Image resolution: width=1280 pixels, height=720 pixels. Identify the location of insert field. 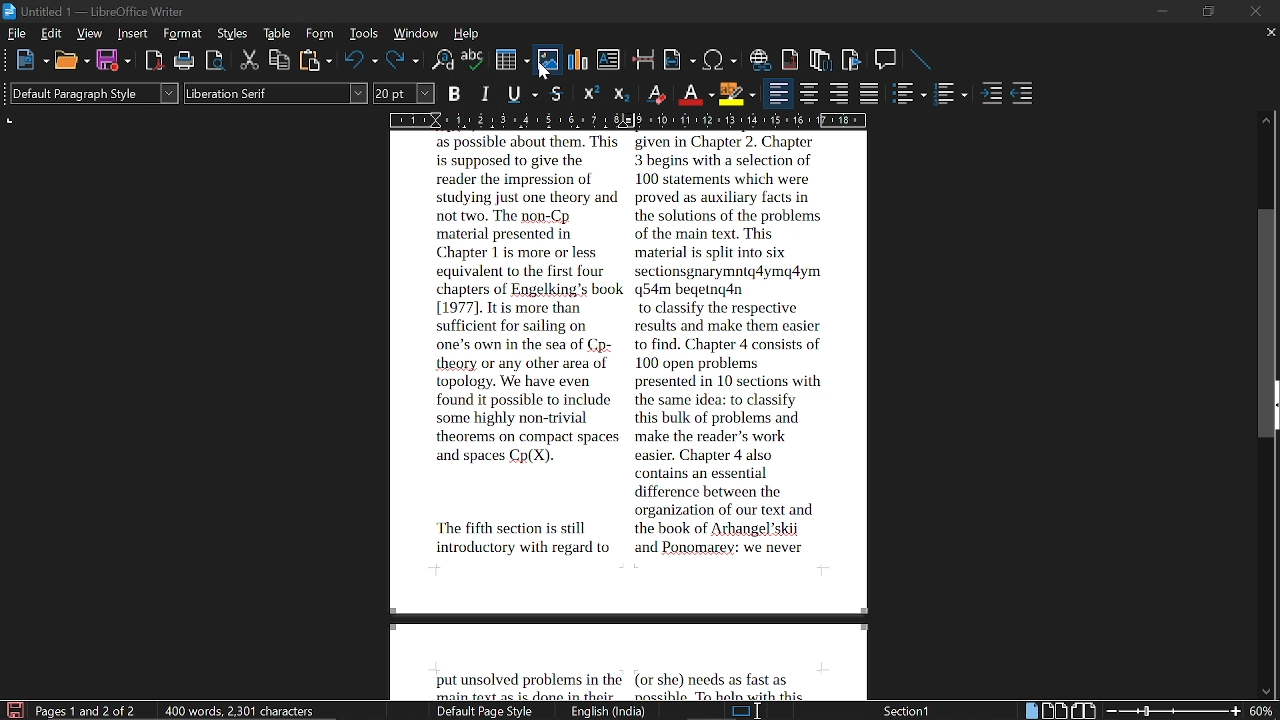
(680, 59).